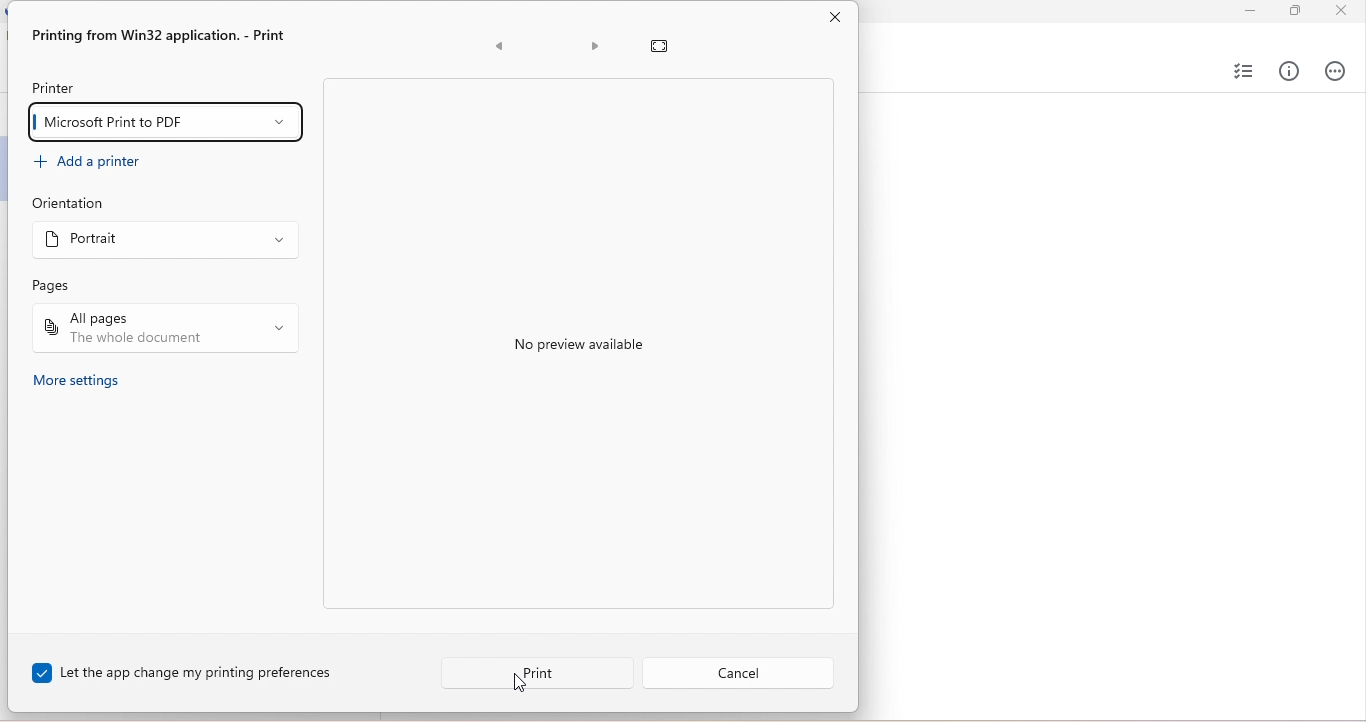 The image size is (1366, 722). What do you see at coordinates (1334, 70) in the screenshot?
I see `actions` at bounding box center [1334, 70].